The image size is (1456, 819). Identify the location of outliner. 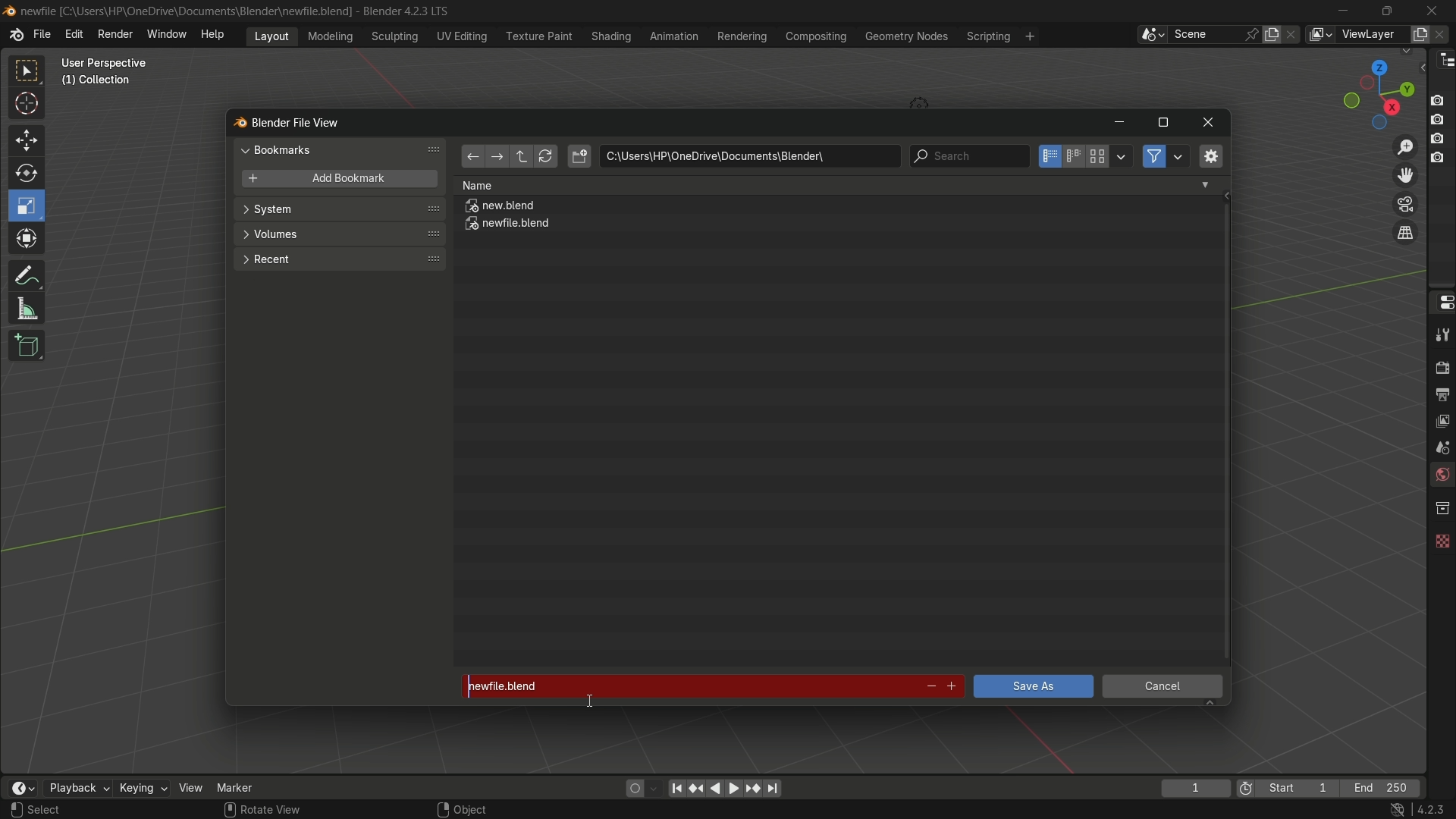
(1442, 59).